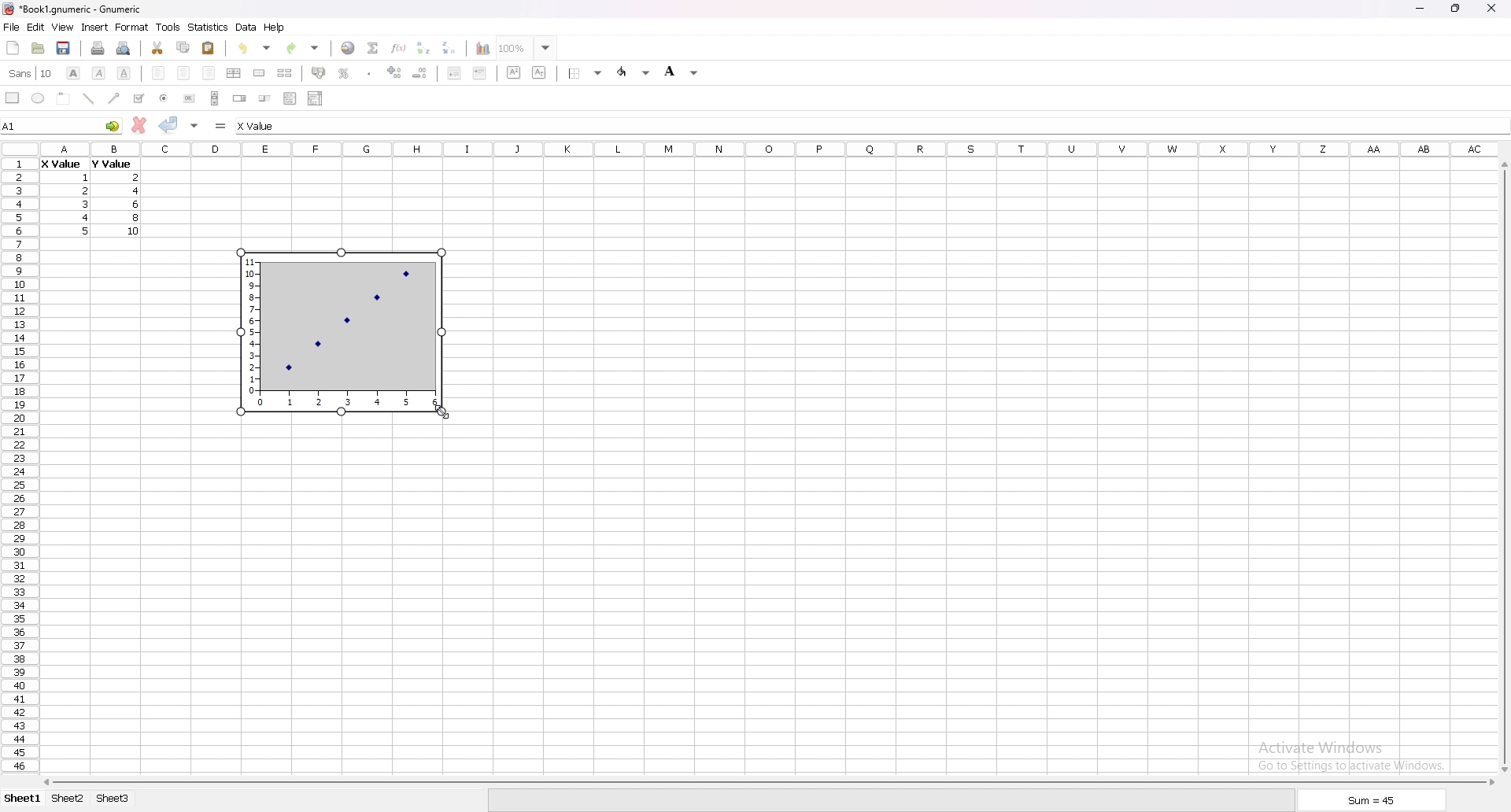 The image size is (1511, 812). I want to click on new, so click(13, 47).